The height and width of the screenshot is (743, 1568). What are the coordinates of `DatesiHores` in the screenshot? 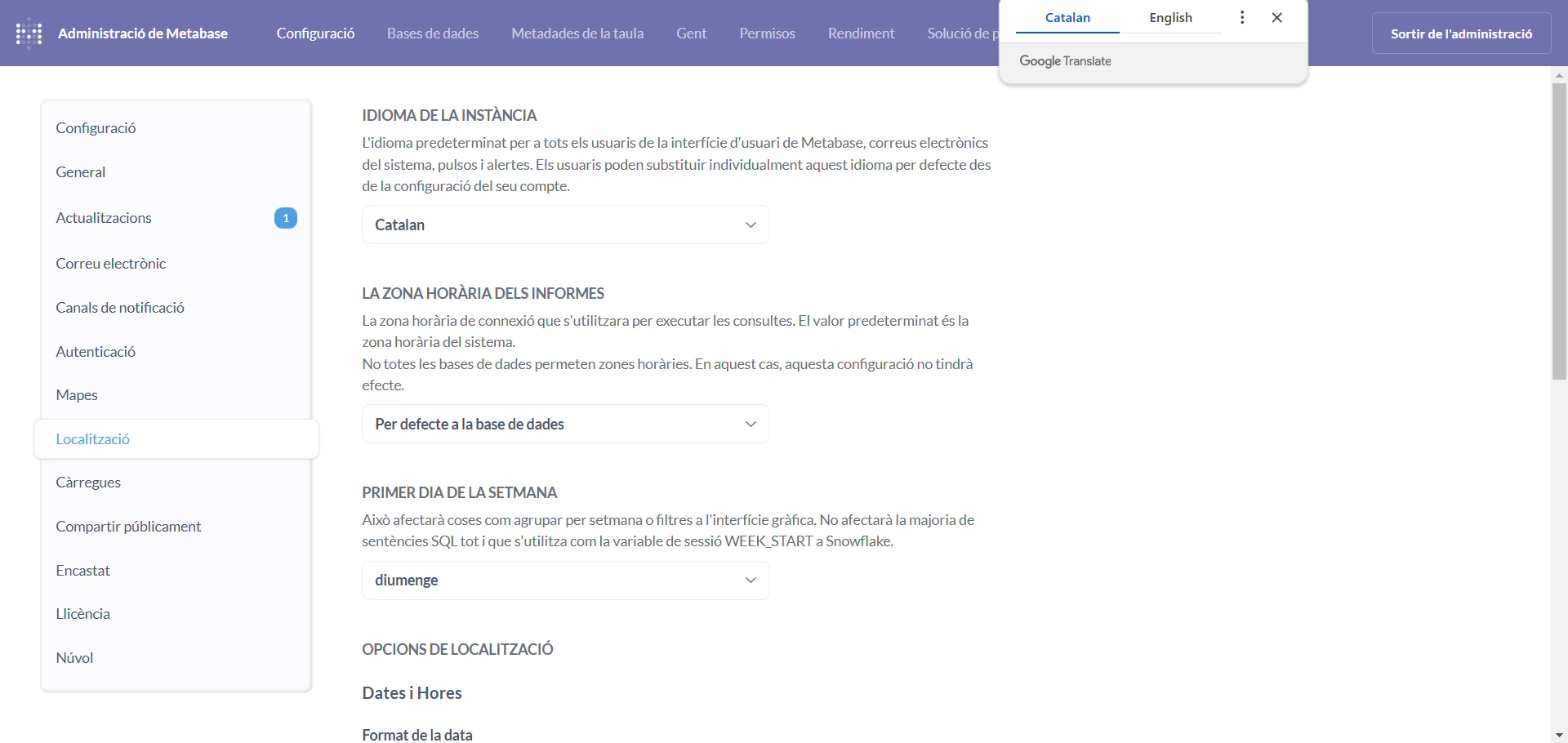 It's located at (415, 696).